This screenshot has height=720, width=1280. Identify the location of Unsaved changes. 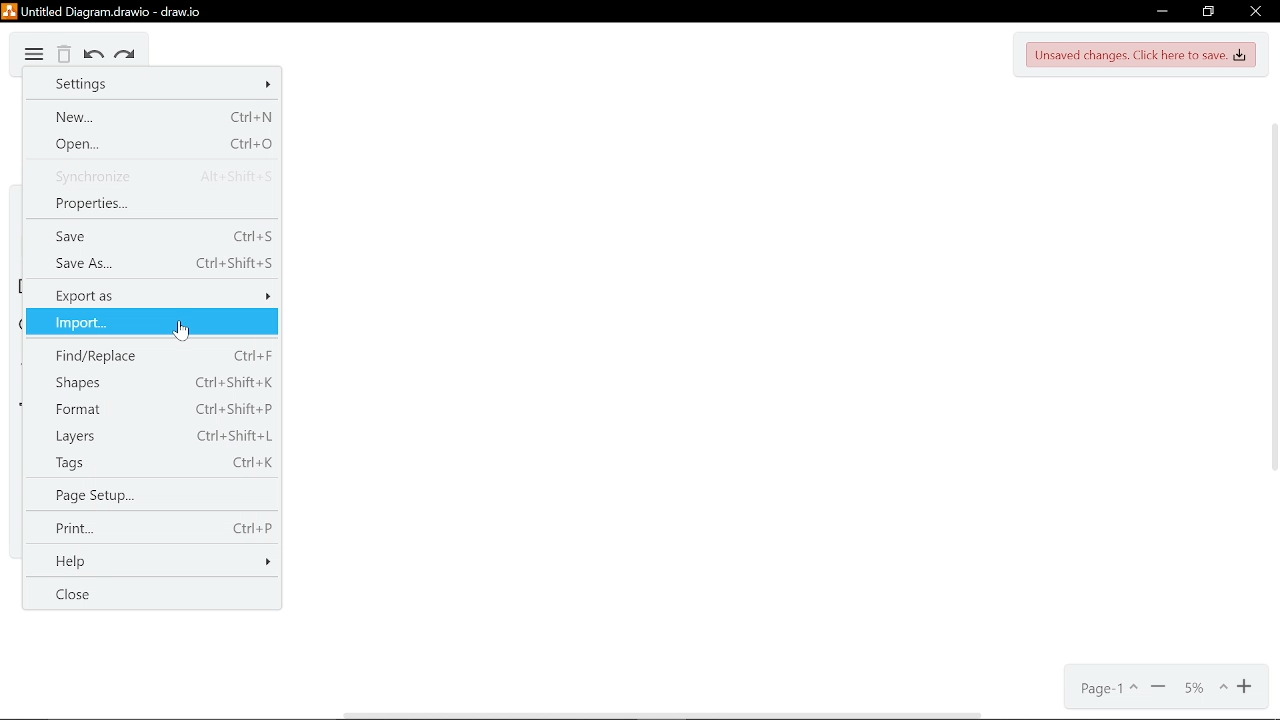
(1142, 55).